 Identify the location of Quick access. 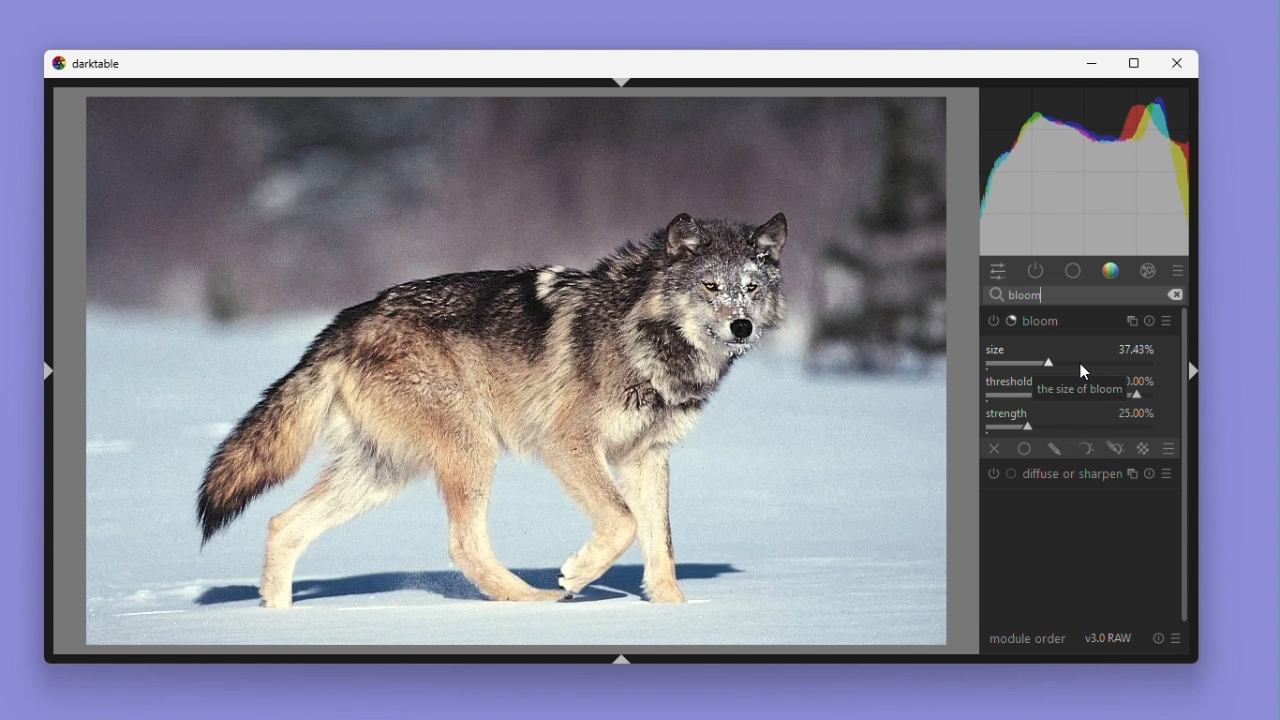
(998, 271).